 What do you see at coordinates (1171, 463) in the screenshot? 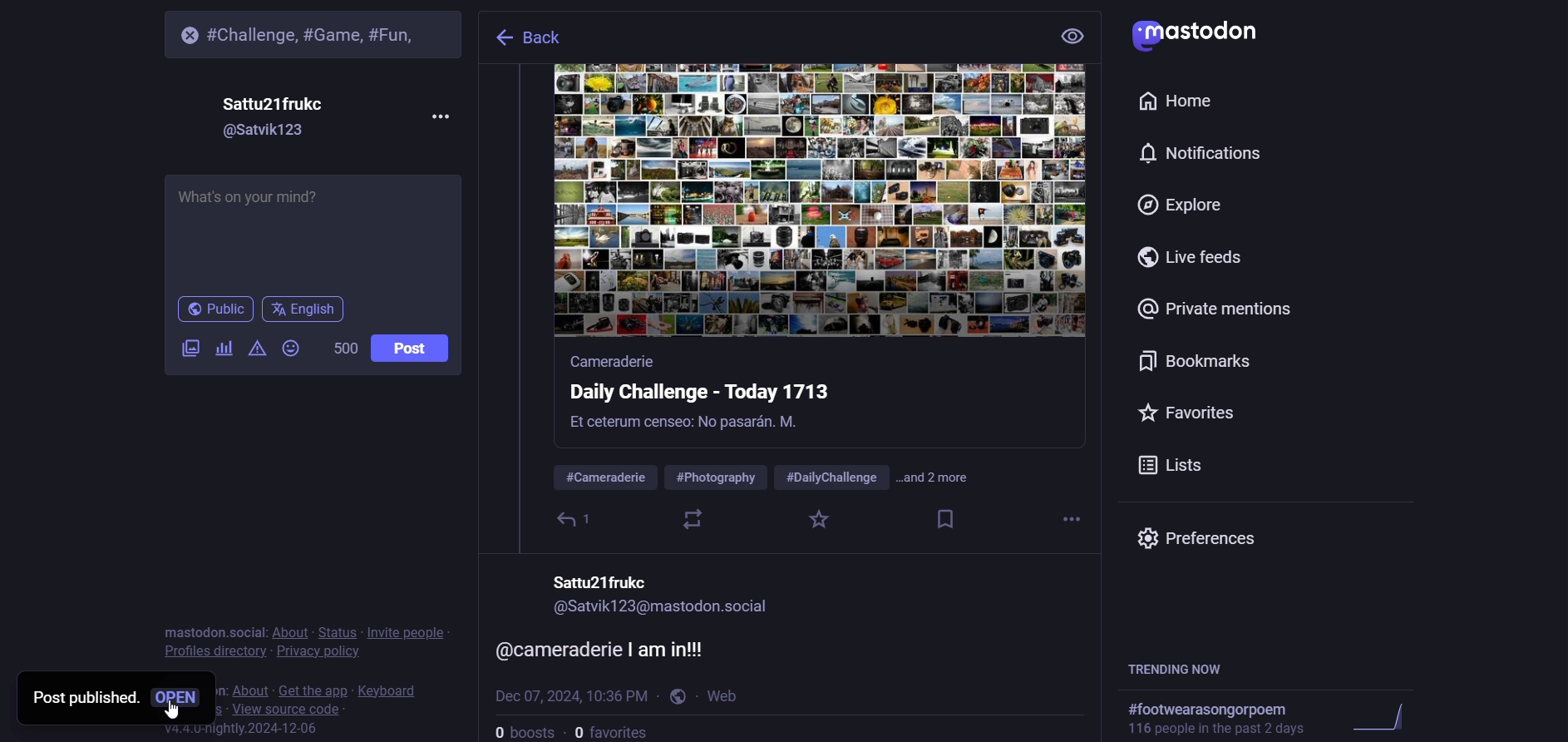
I see `lists` at bounding box center [1171, 463].